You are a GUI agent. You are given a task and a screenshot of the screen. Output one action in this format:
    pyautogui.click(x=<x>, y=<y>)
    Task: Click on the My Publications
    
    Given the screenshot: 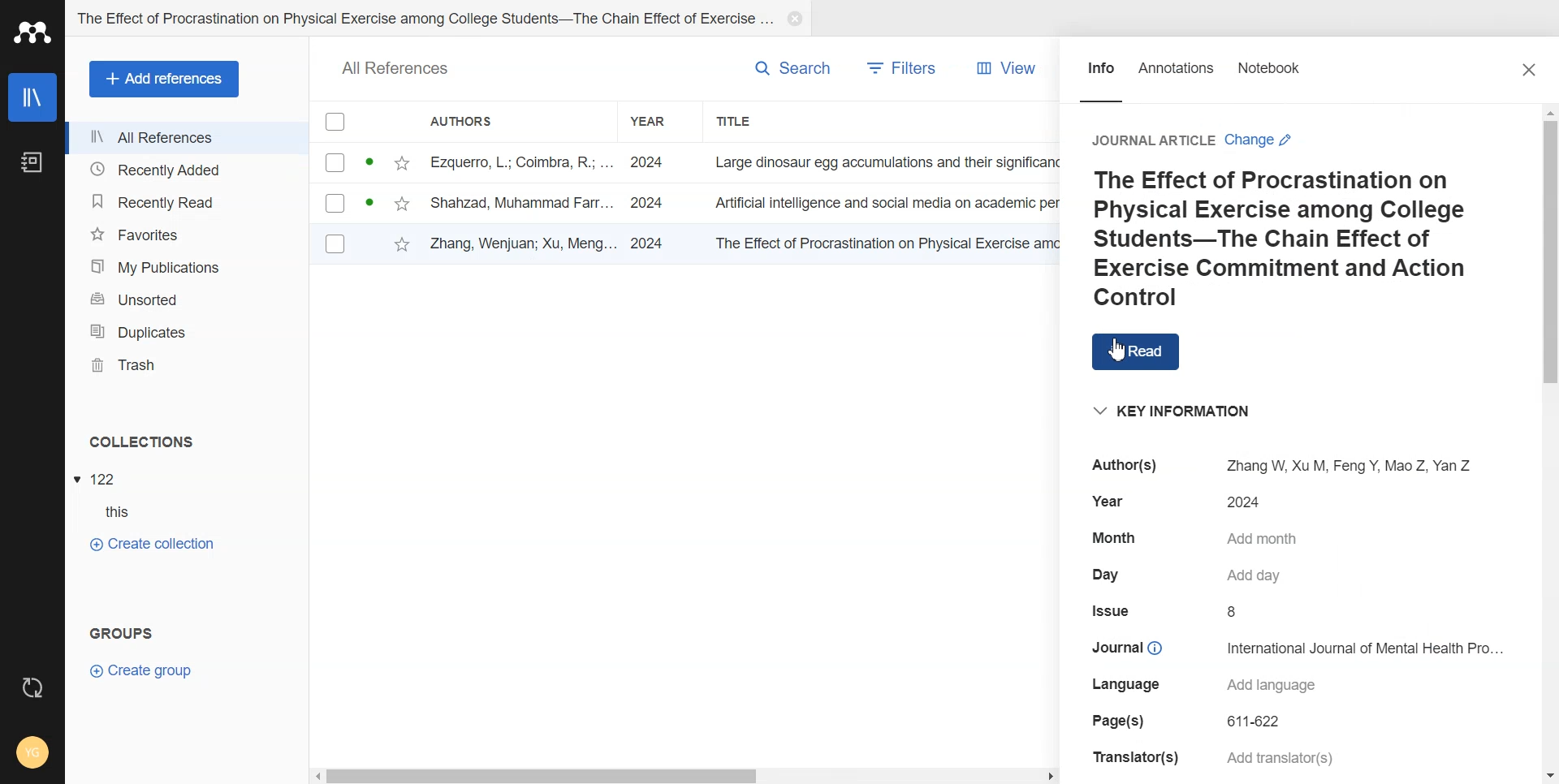 What is the action you would take?
    pyautogui.click(x=191, y=266)
    